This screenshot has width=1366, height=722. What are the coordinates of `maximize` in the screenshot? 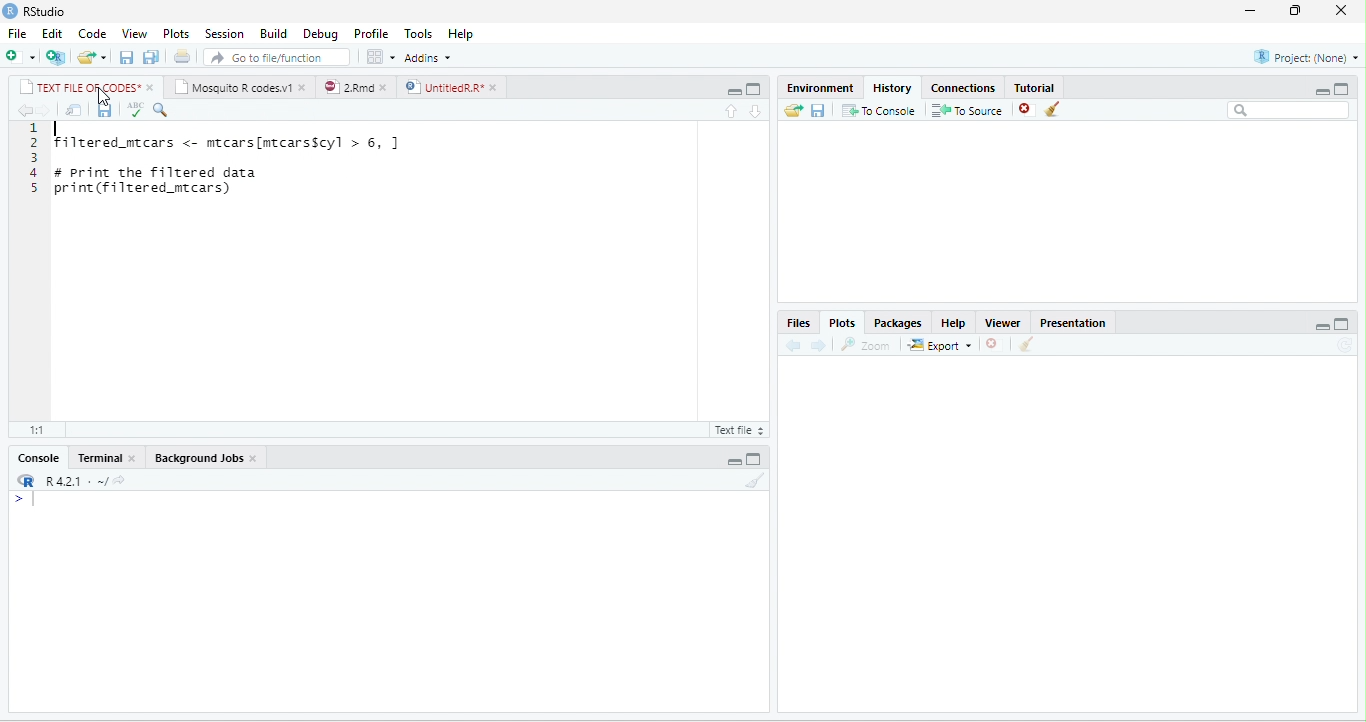 It's located at (753, 89).